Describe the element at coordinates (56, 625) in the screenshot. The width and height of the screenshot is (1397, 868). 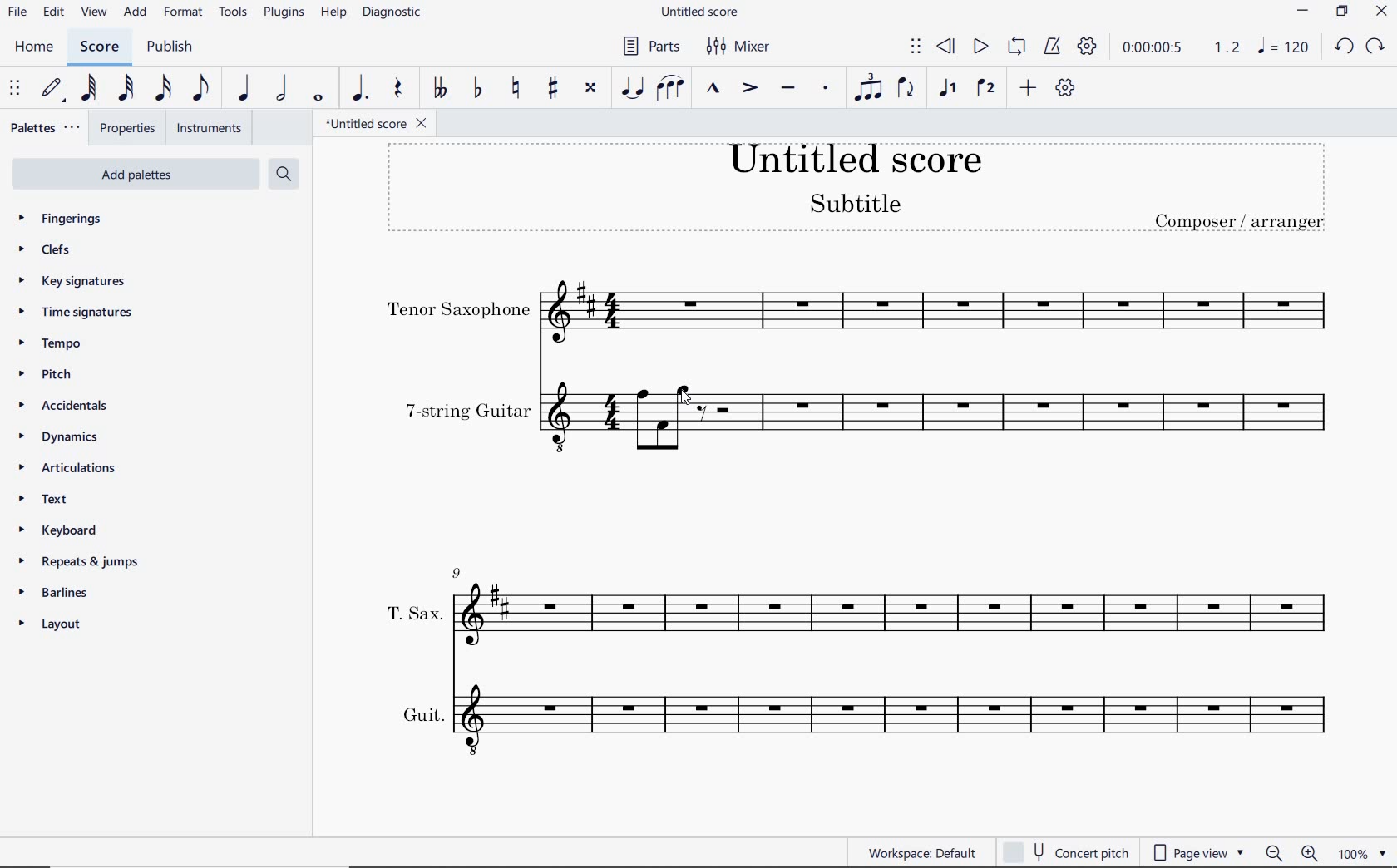
I see `LAYOUT` at that location.